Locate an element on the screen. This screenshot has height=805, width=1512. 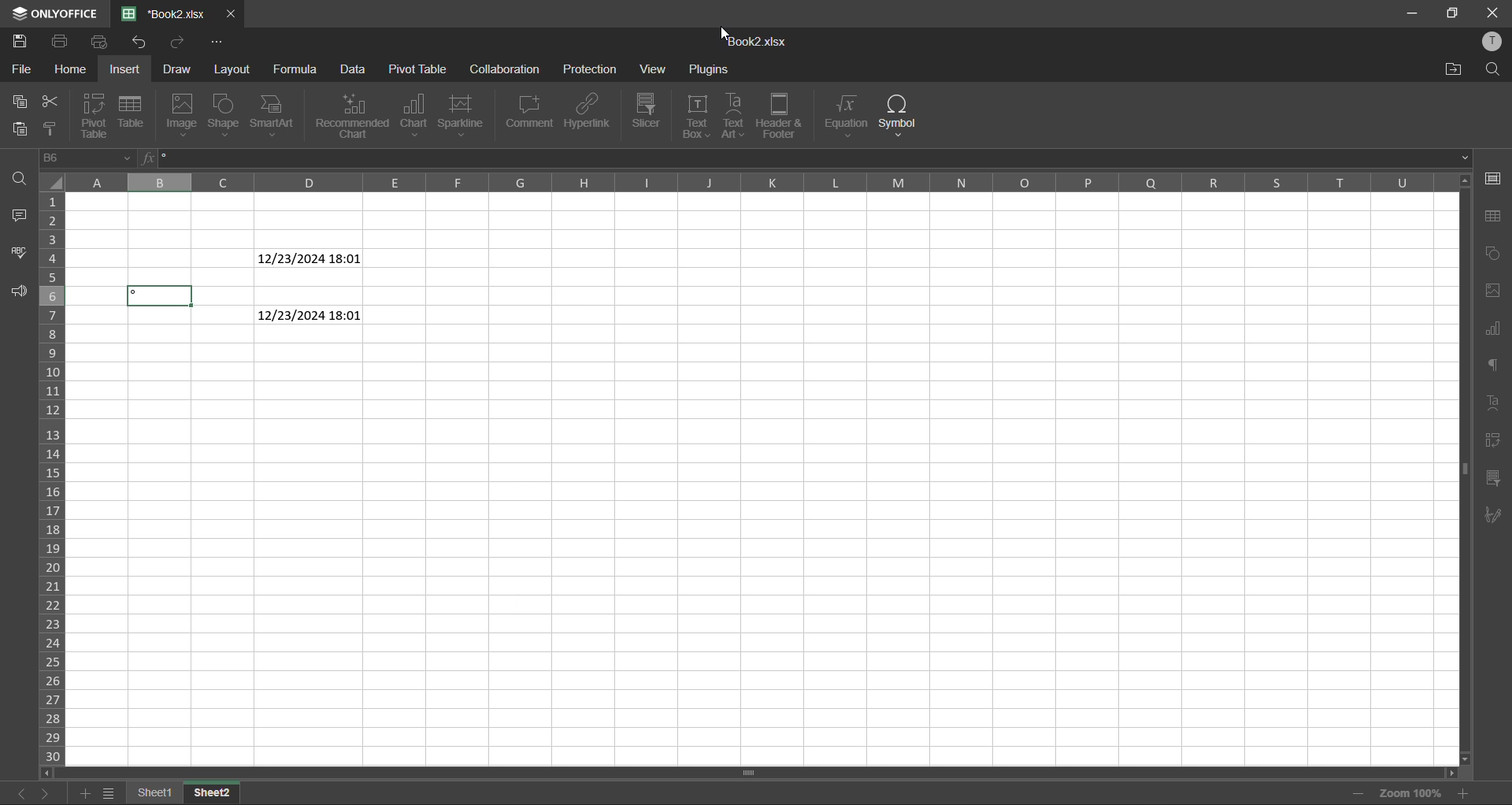
paragraph is located at coordinates (1494, 368).